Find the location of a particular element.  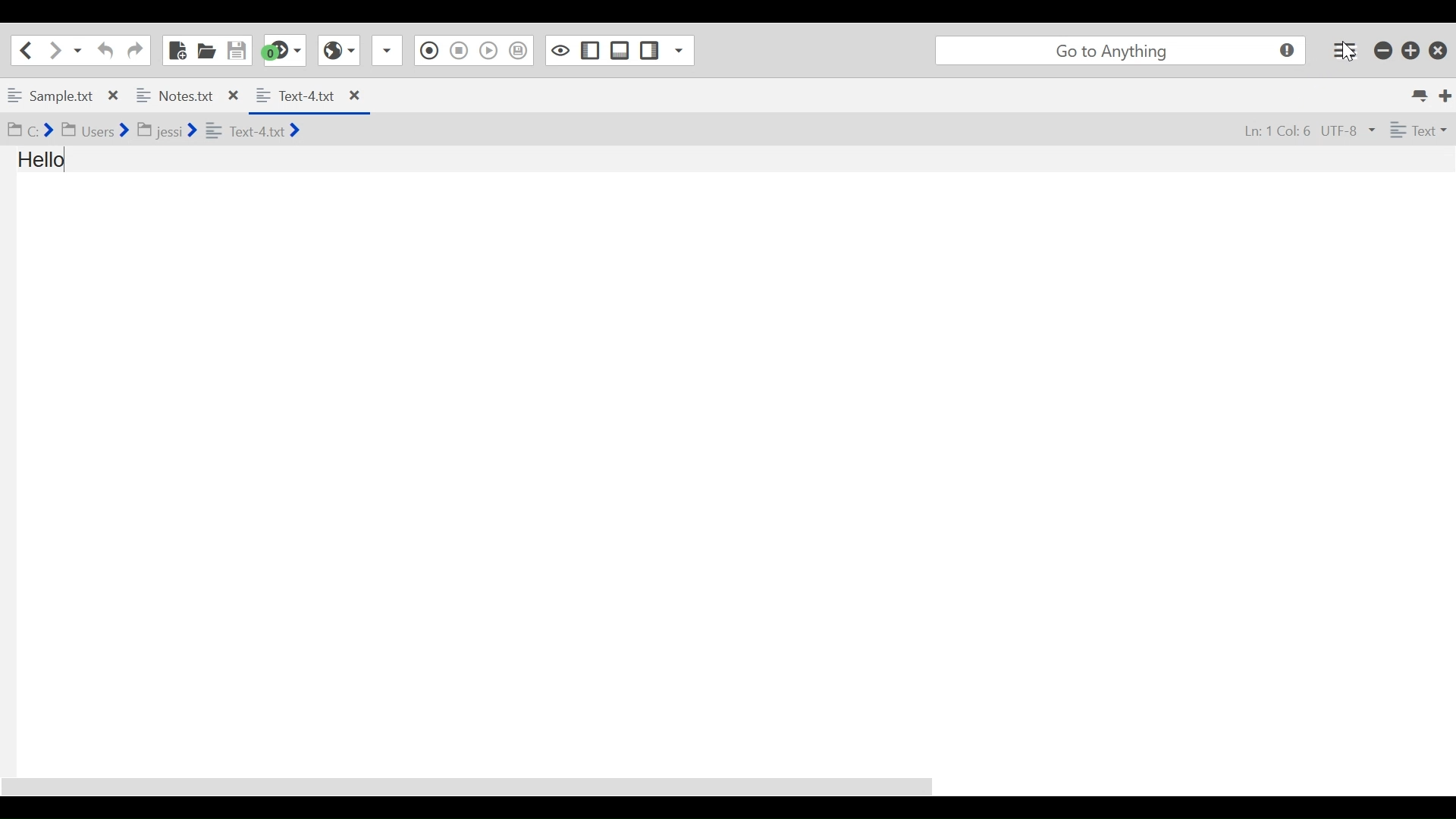

New File is located at coordinates (178, 50).